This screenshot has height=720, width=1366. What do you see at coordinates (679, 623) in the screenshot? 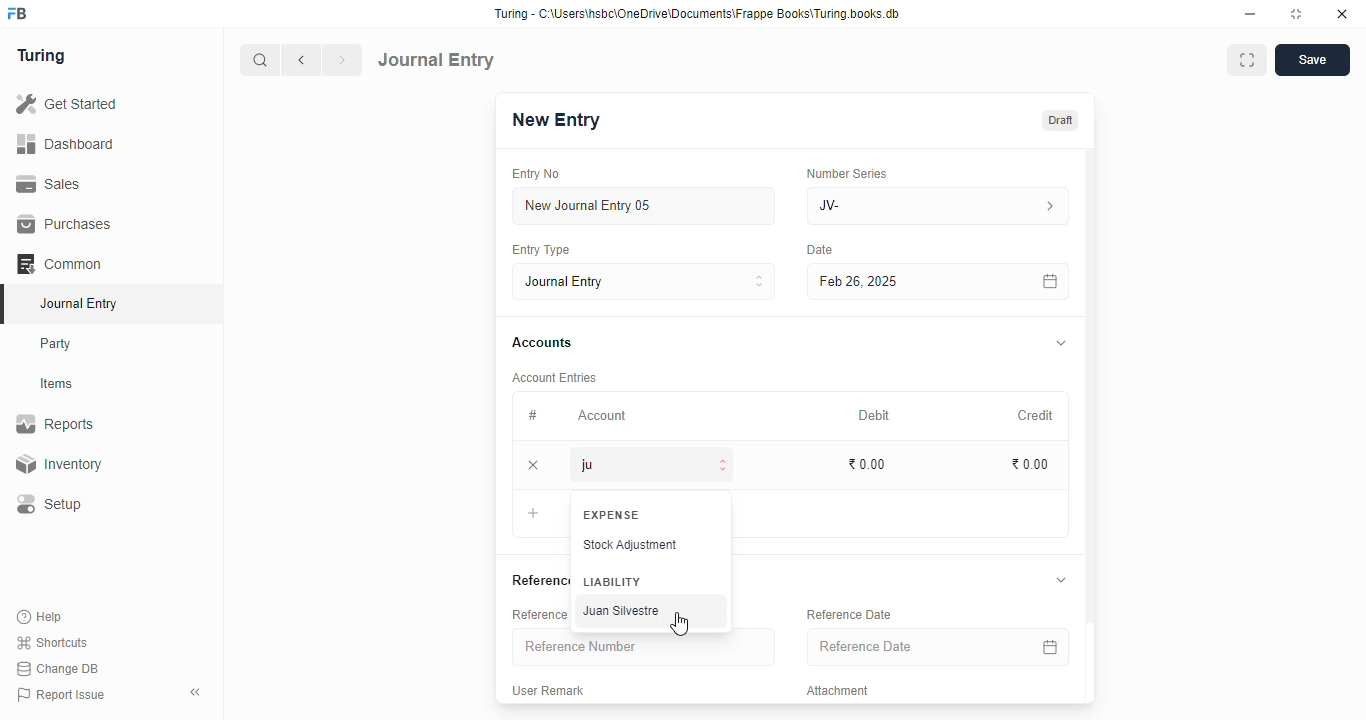
I see `cursor` at bounding box center [679, 623].